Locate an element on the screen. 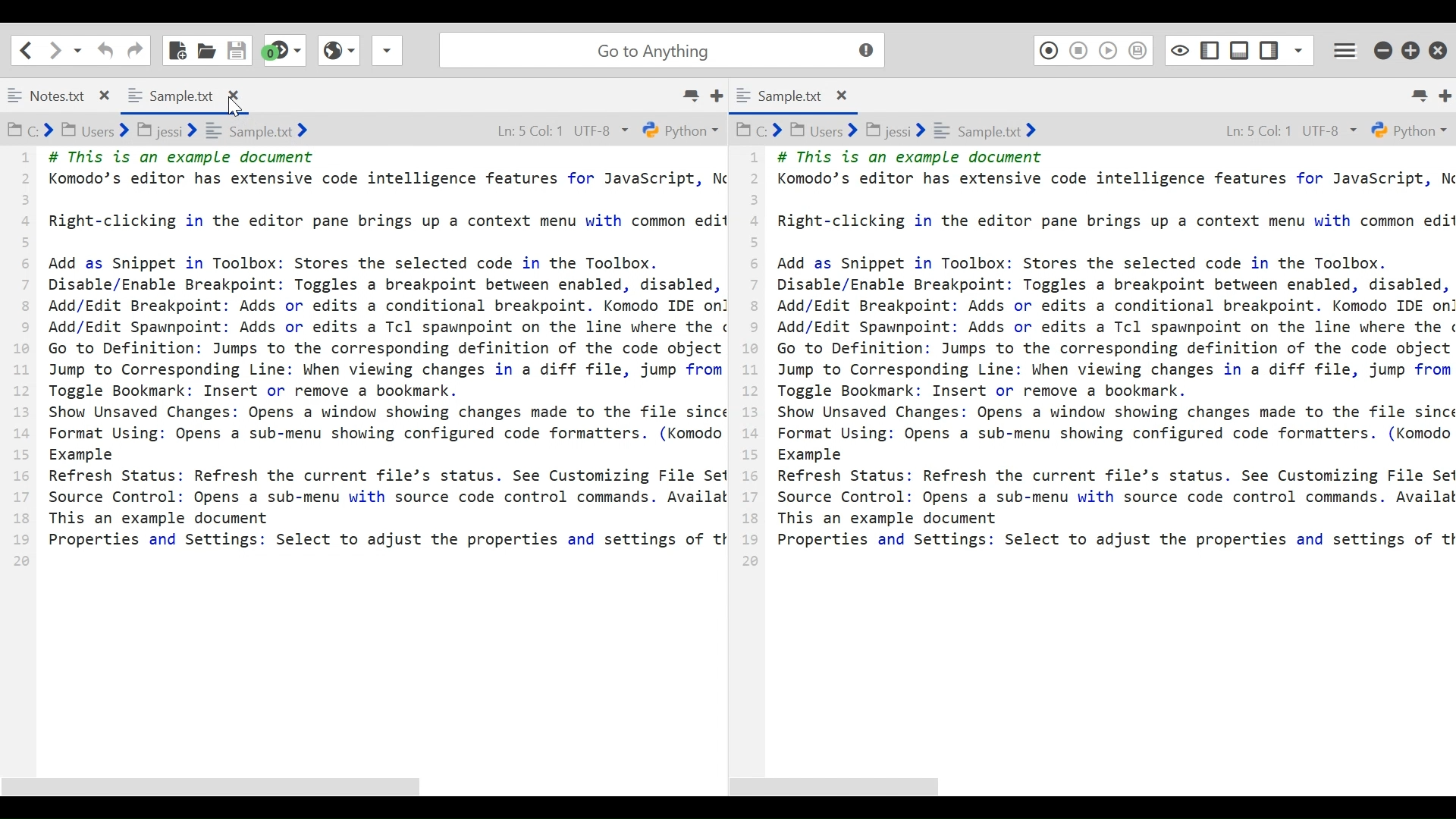  Notes.txt is located at coordinates (60, 96).